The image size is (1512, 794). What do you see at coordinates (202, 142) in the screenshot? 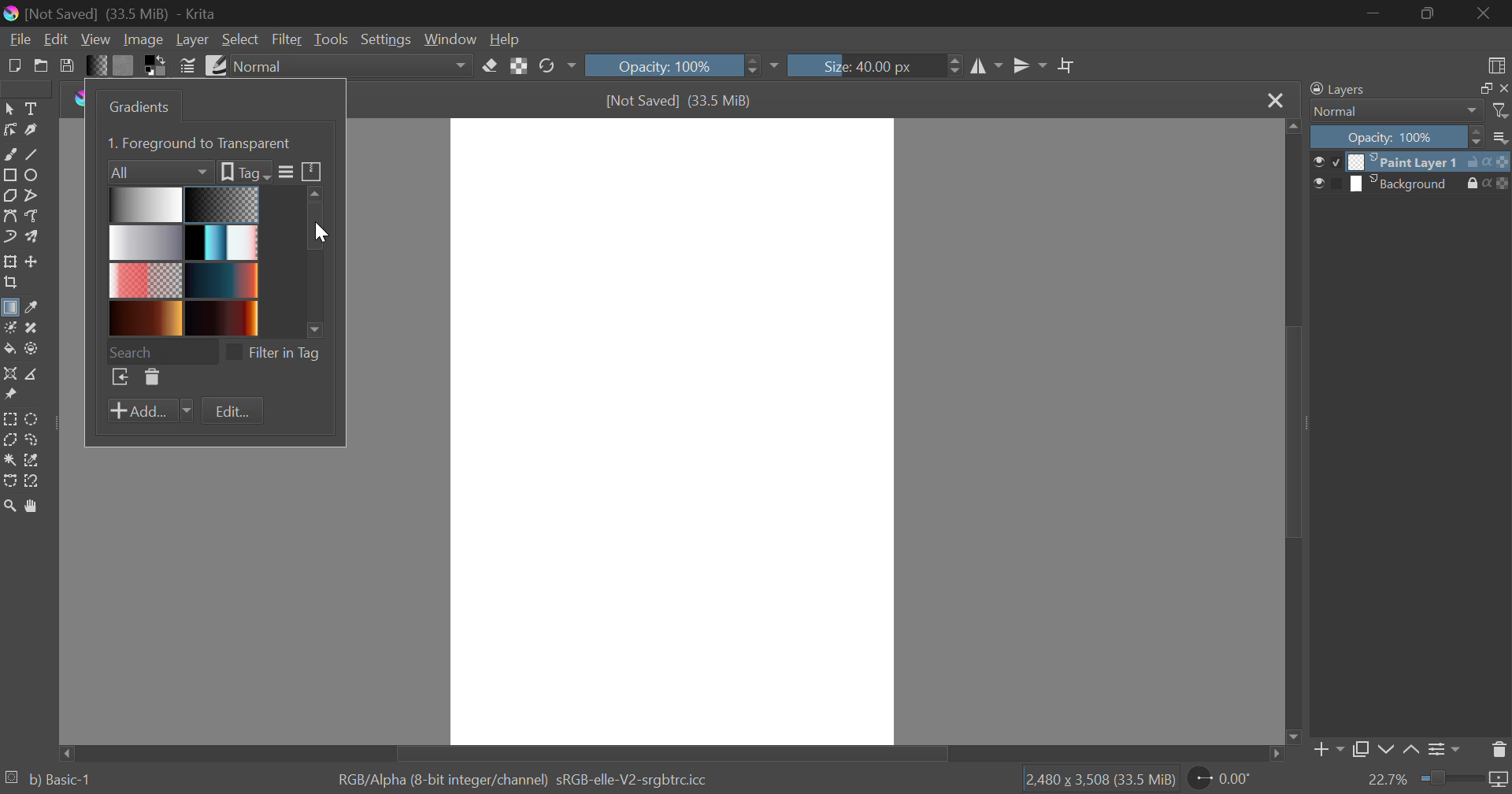
I see `1. Foreground to Transparent` at bounding box center [202, 142].